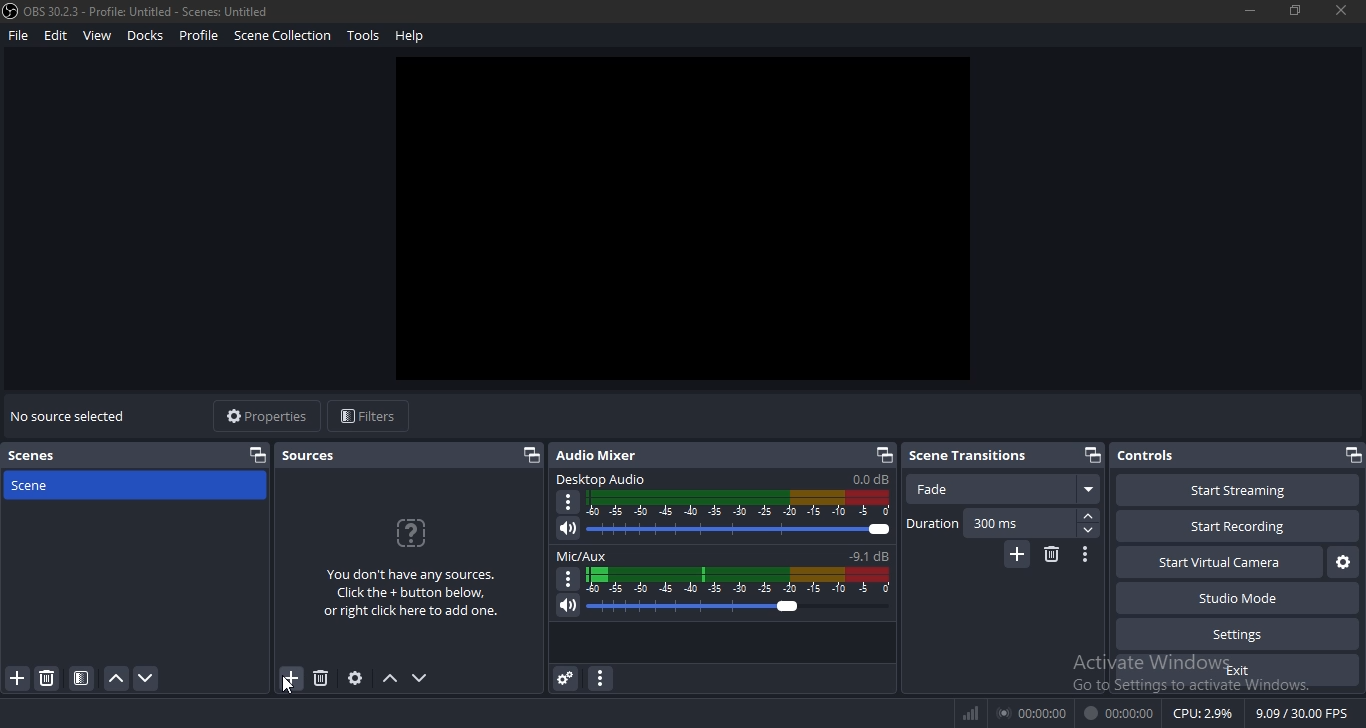 Image resolution: width=1366 pixels, height=728 pixels. I want to click on studio mode, so click(1243, 599).